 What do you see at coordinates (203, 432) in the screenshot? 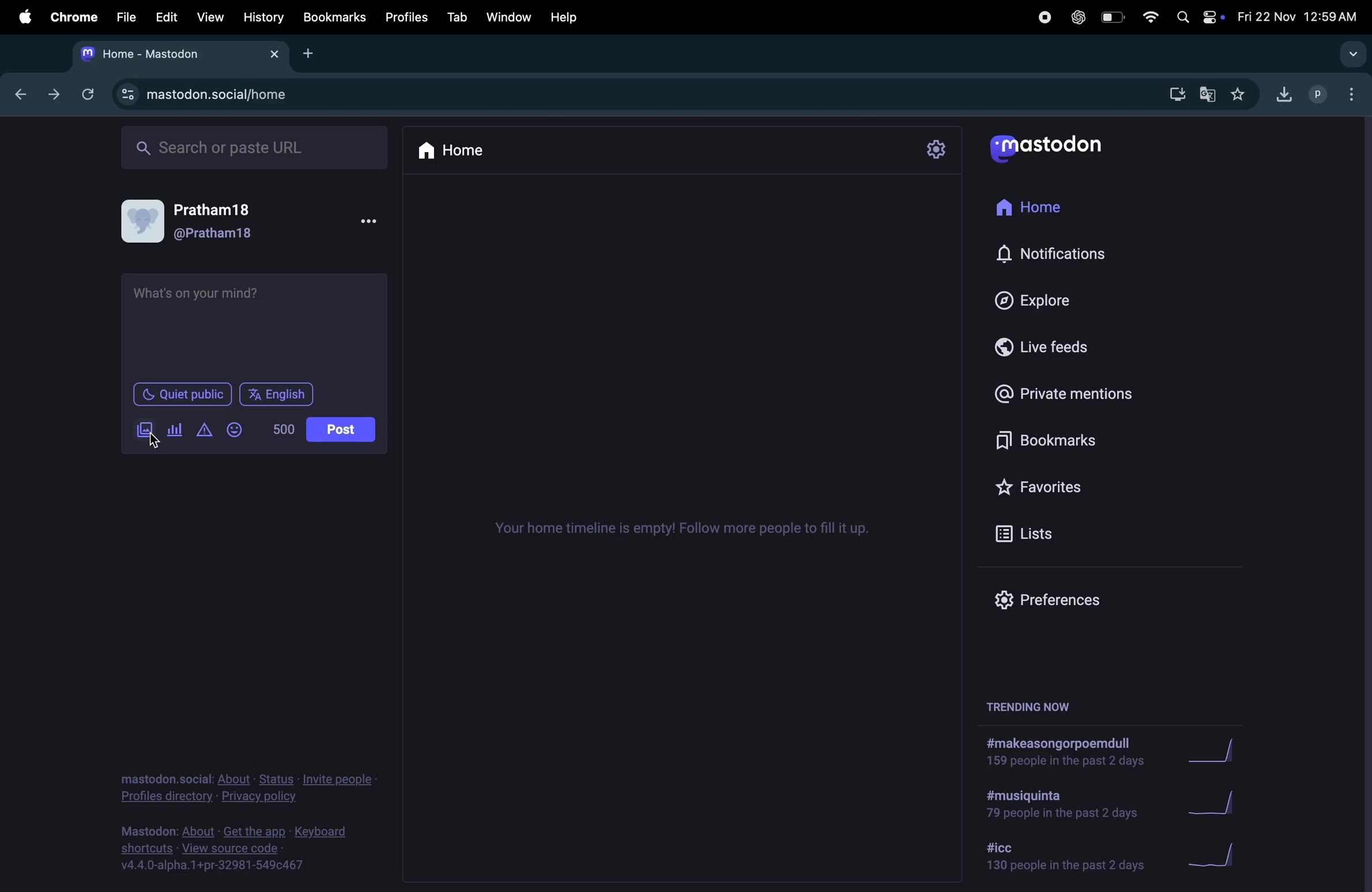
I see `content warning` at bounding box center [203, 432].